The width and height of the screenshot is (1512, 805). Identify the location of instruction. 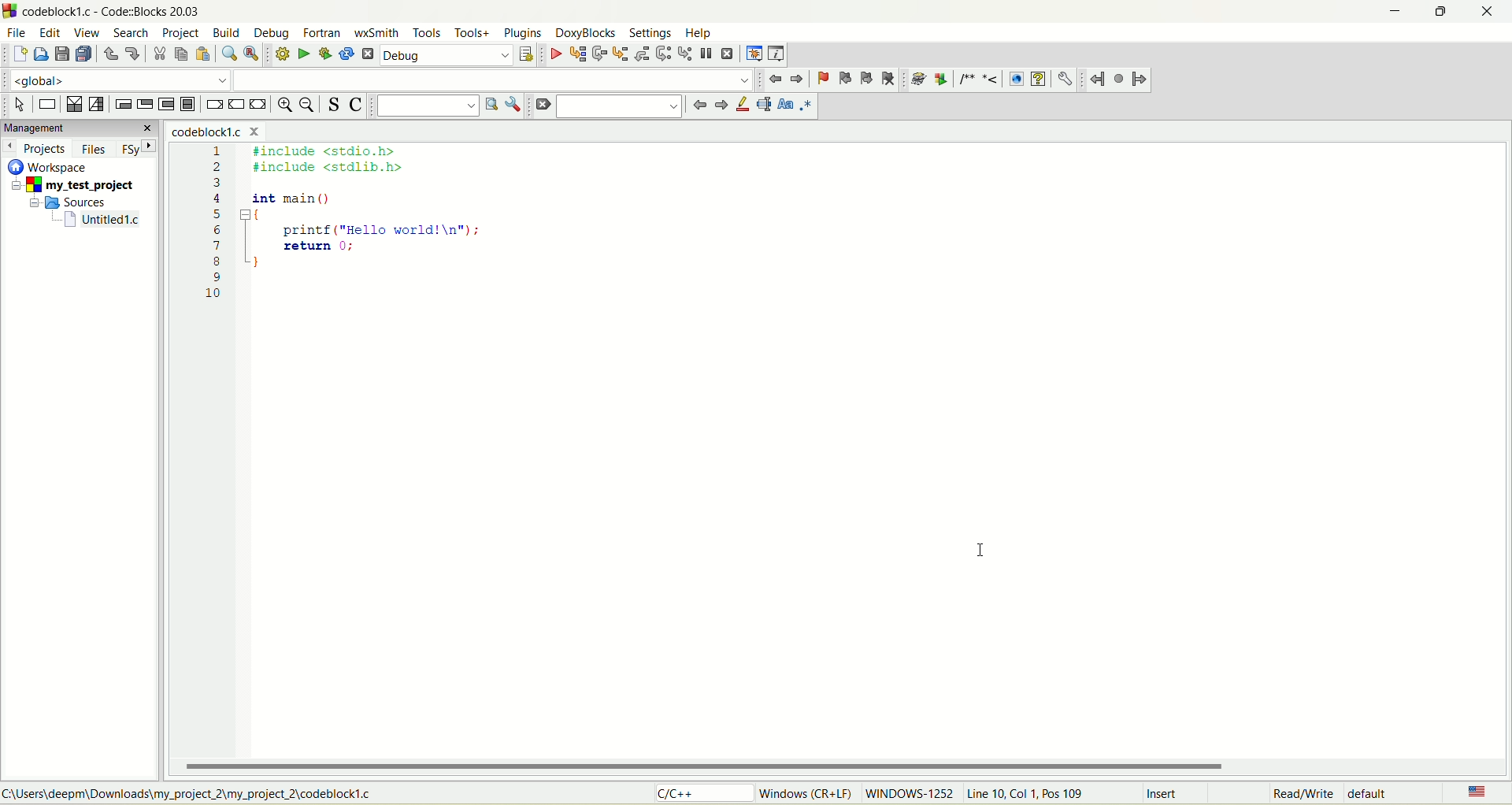
(46, 105).